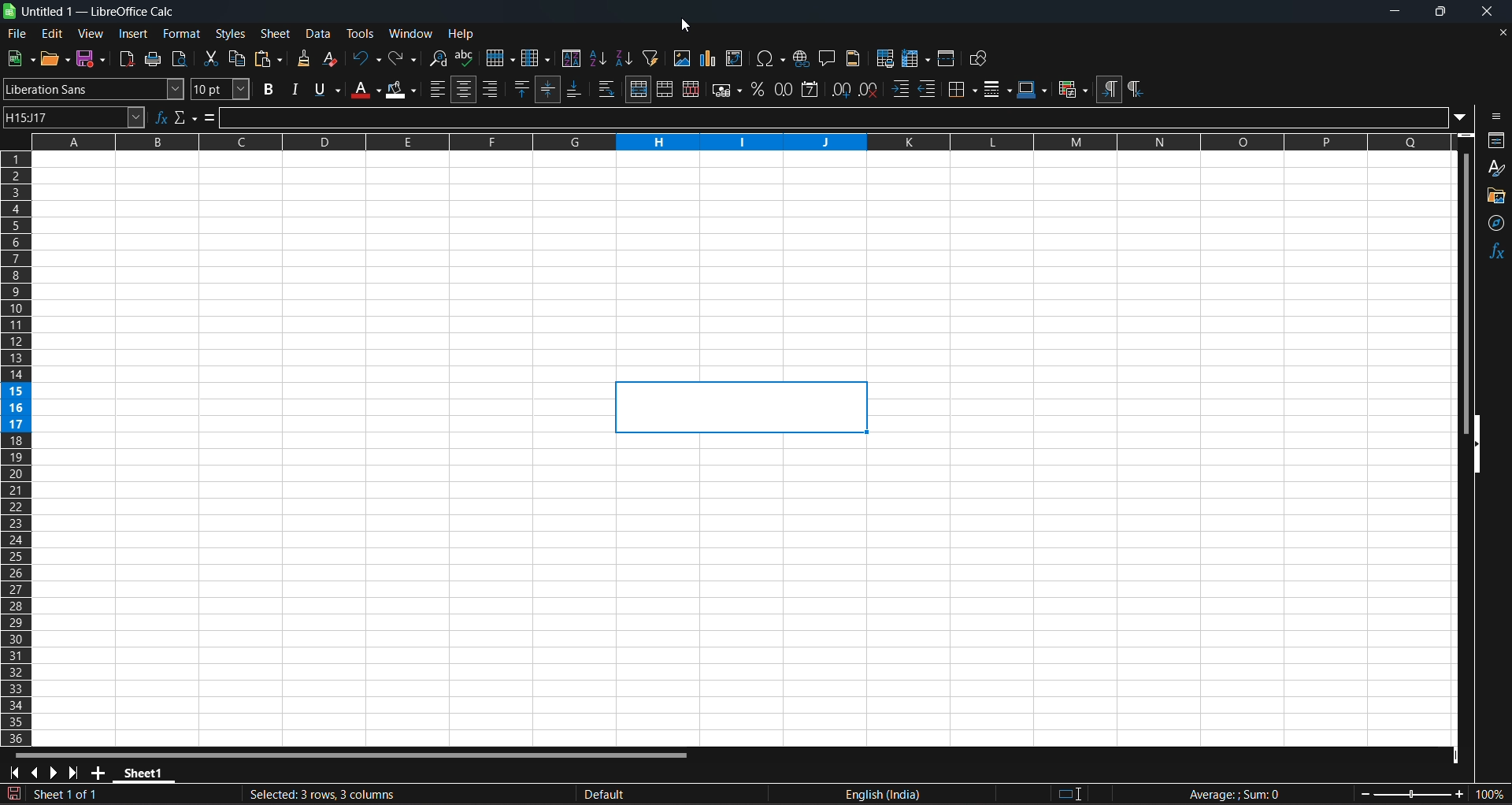 This screenshot has height=805, width=1512. Describe the element at coordinates (573, 58) in the screenshot. I see `sort` at that location.